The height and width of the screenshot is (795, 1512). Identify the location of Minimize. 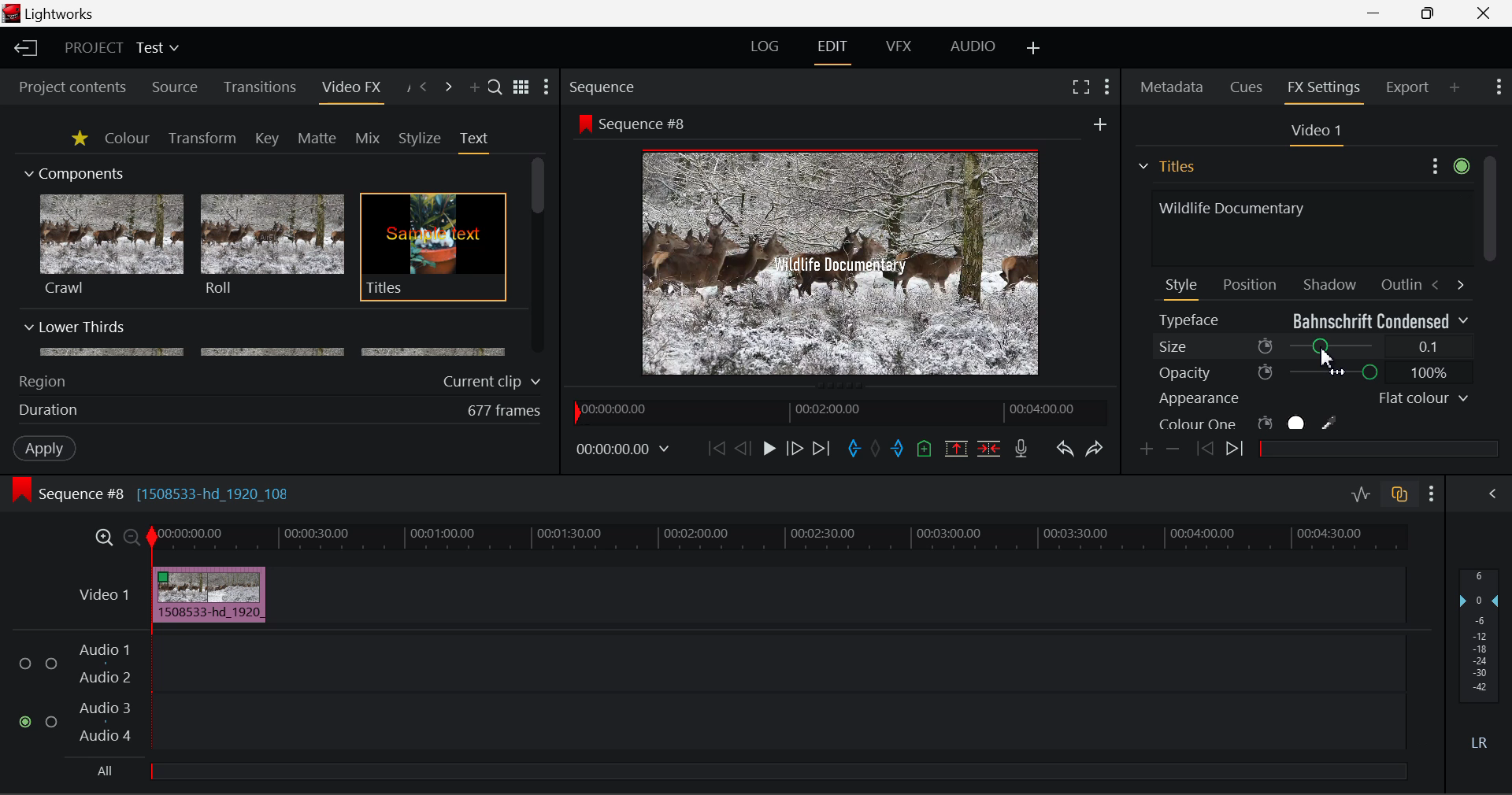
(1432, 12).